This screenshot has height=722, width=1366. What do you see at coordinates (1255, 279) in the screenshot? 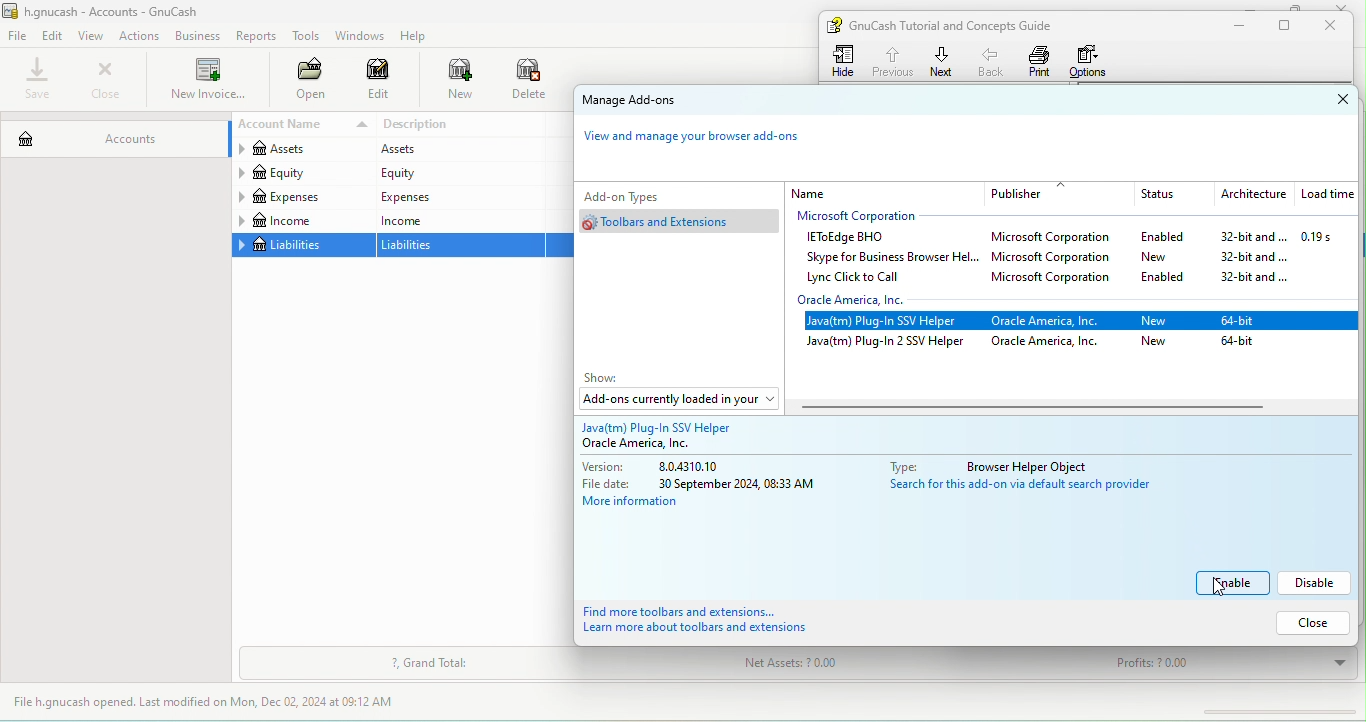
I see `32 bit and` at bounding box center [1255, 279].